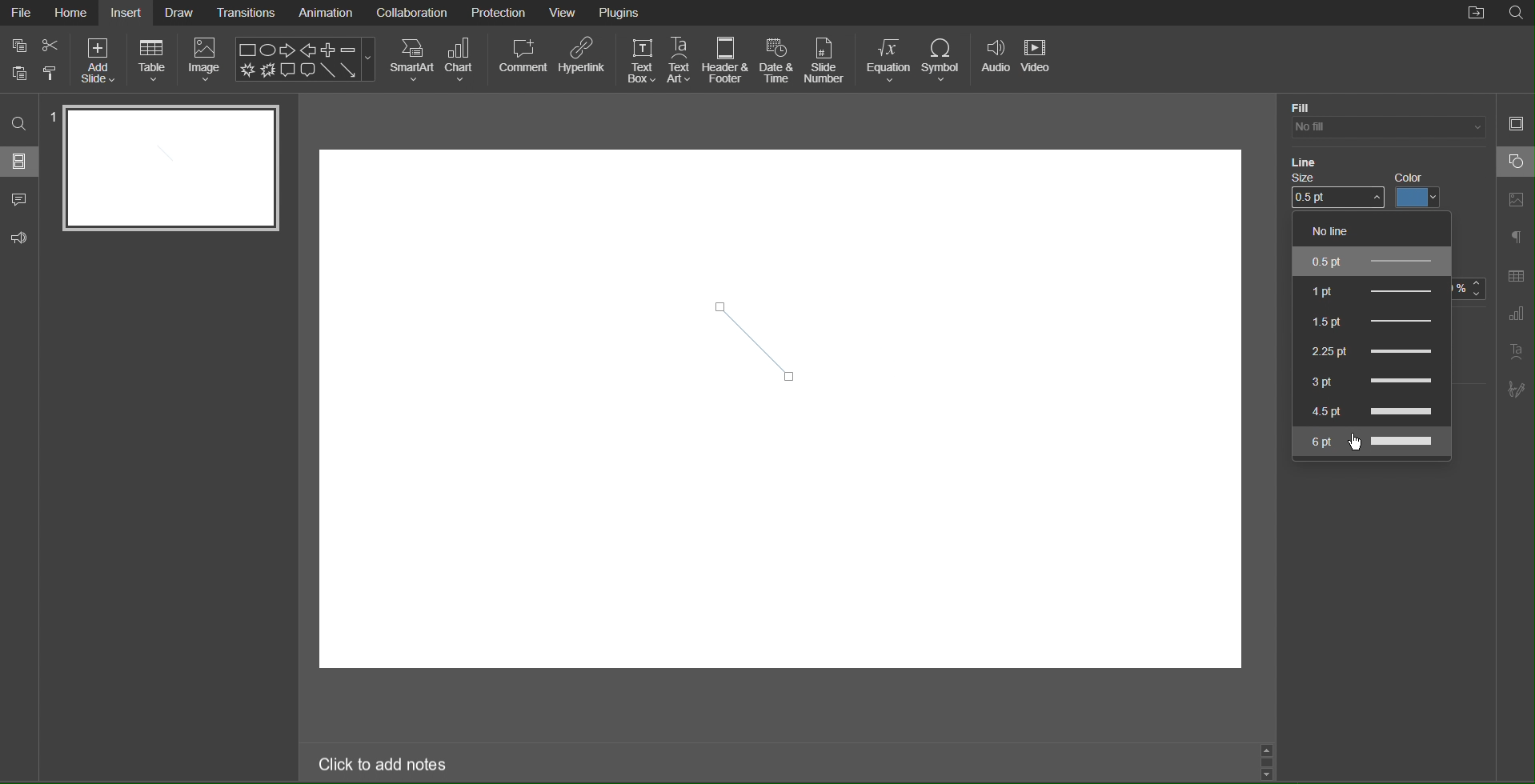  Describe the element at coordinates (1301, 106) in the screenshot. I see `Fill` at that location.